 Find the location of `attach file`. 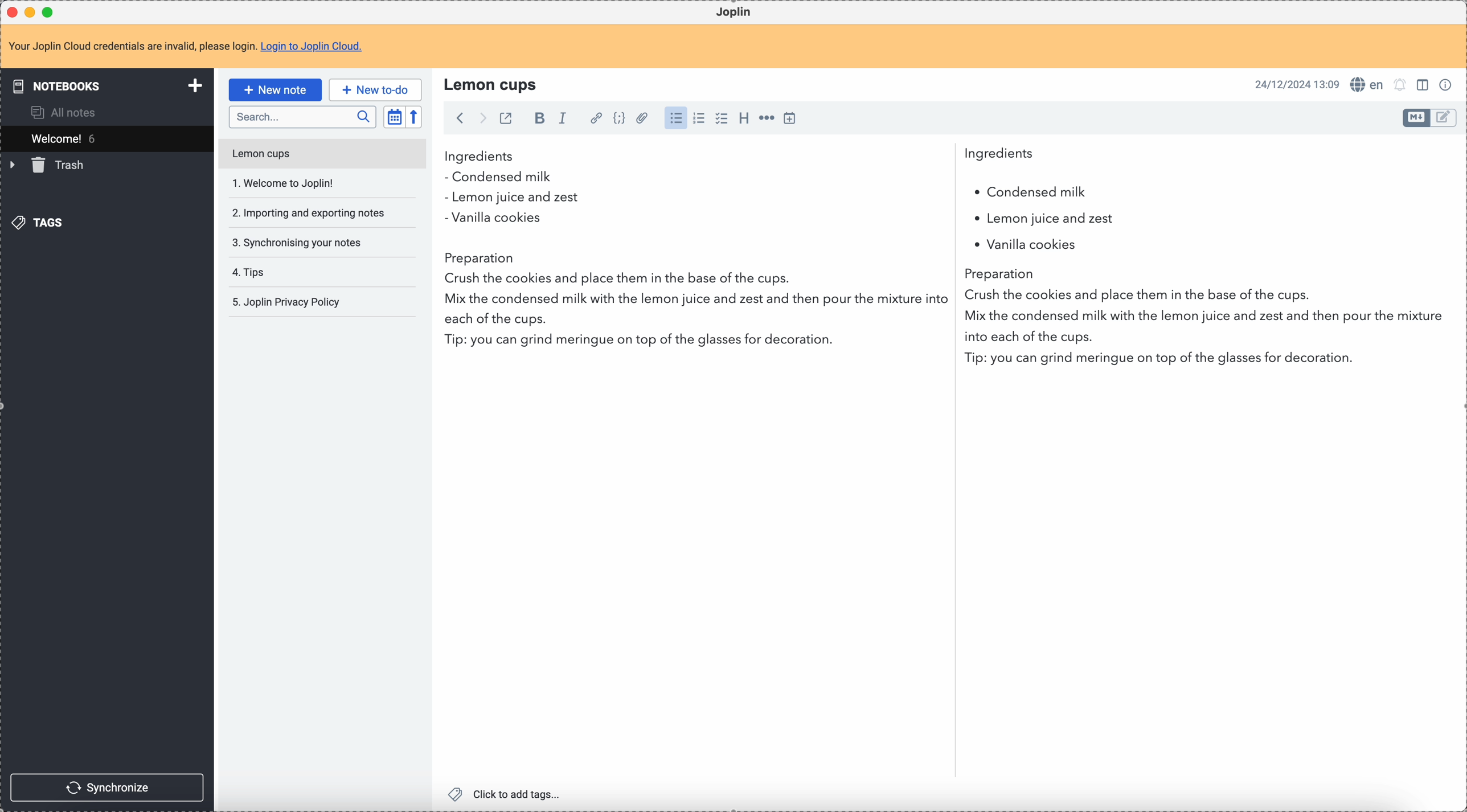

attach file is located at coordinates (640, 119).